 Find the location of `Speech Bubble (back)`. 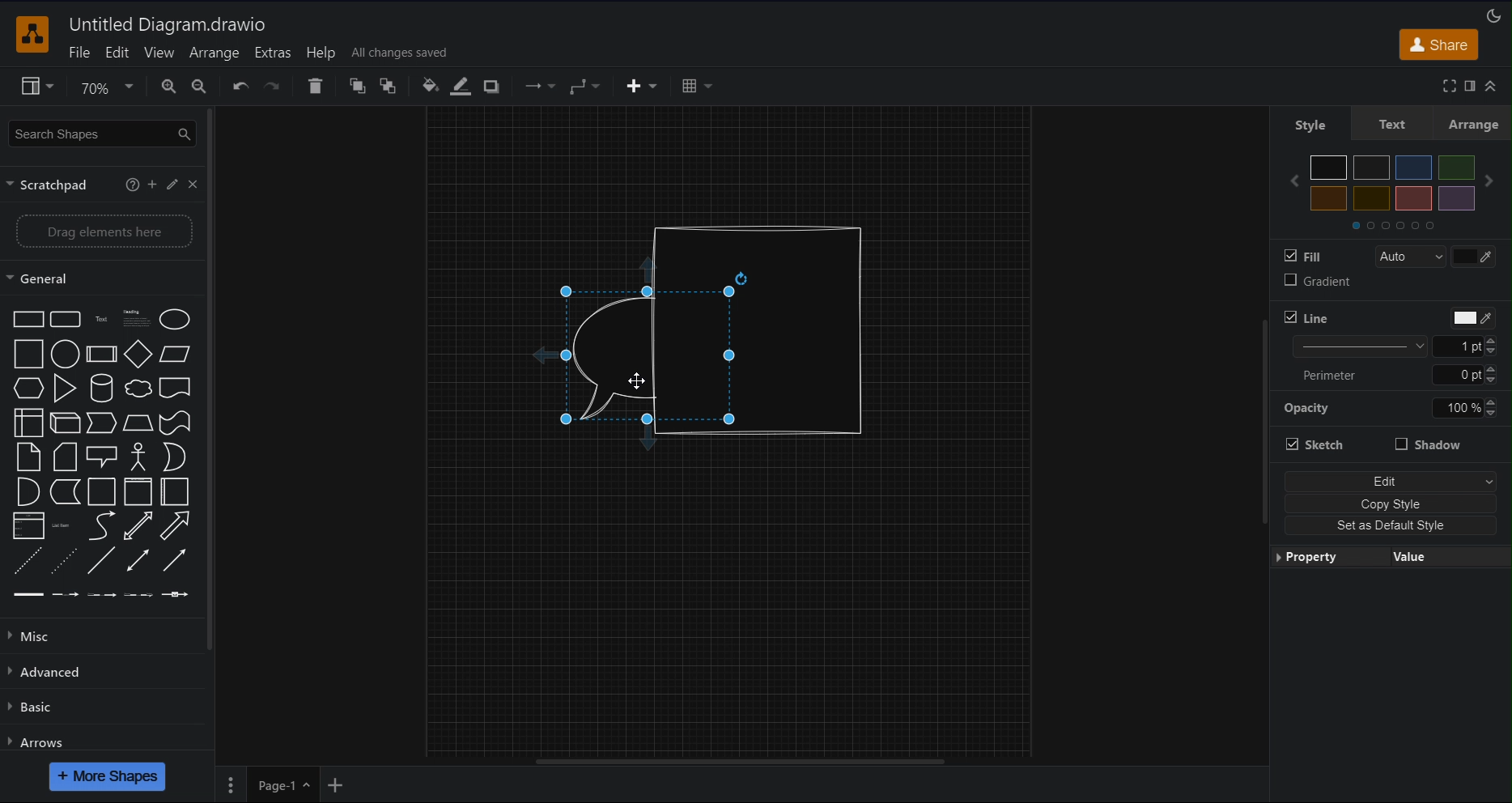

Speech Bubble (back) is located at coordinates (609, 355).